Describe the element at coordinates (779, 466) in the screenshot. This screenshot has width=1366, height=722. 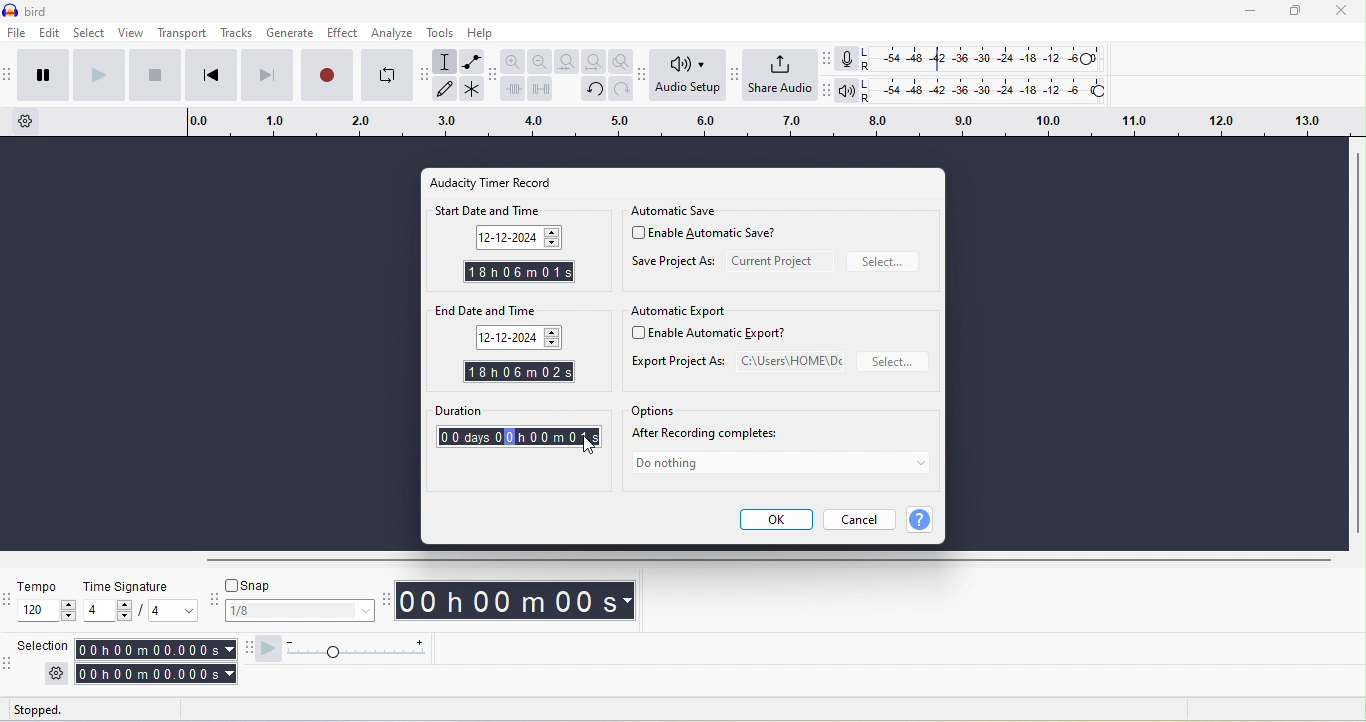
I see `do nothing` at that location.